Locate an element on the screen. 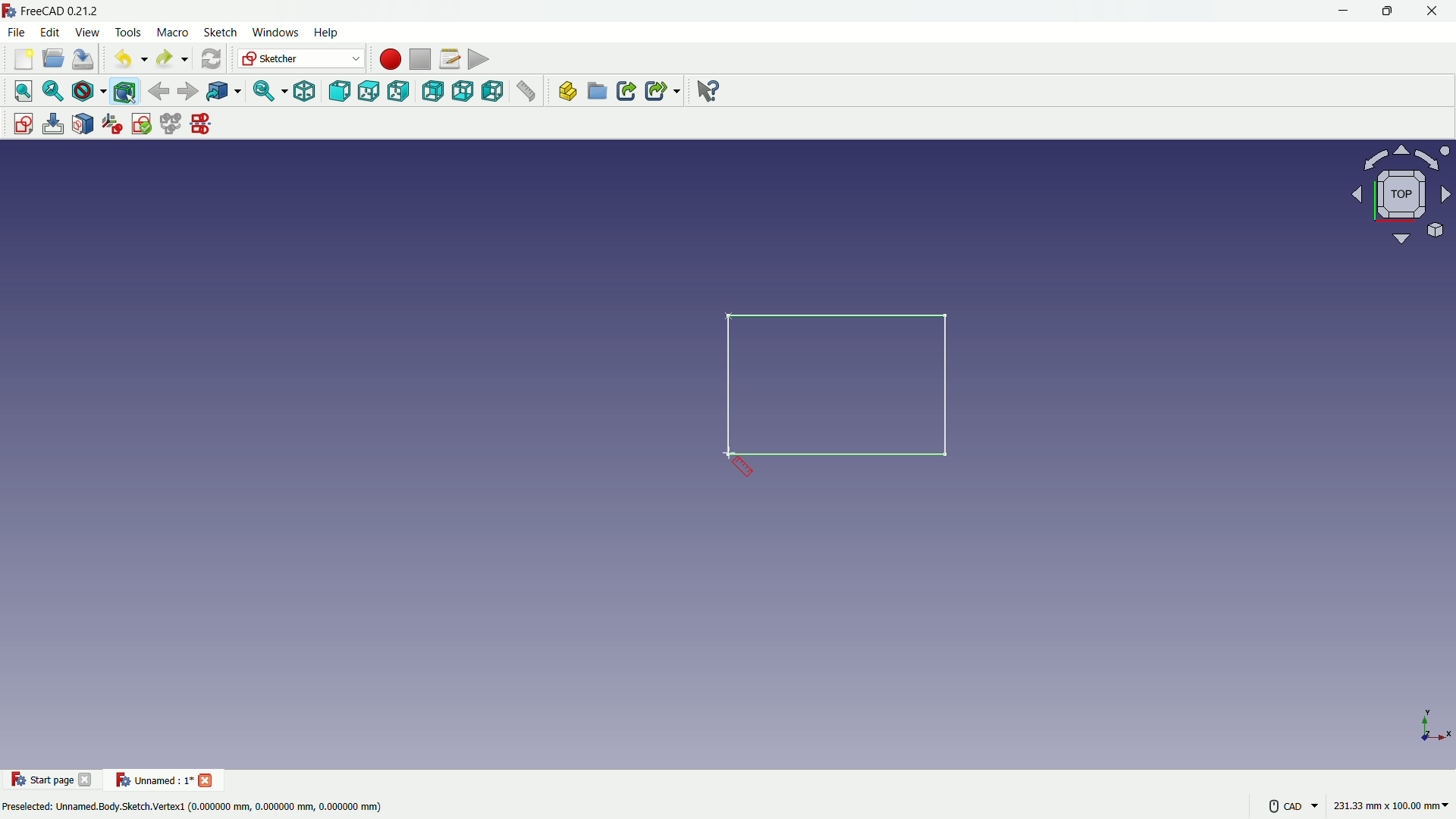 The image size is (1456, 819). stop macros is located at coordinates (418, 60).